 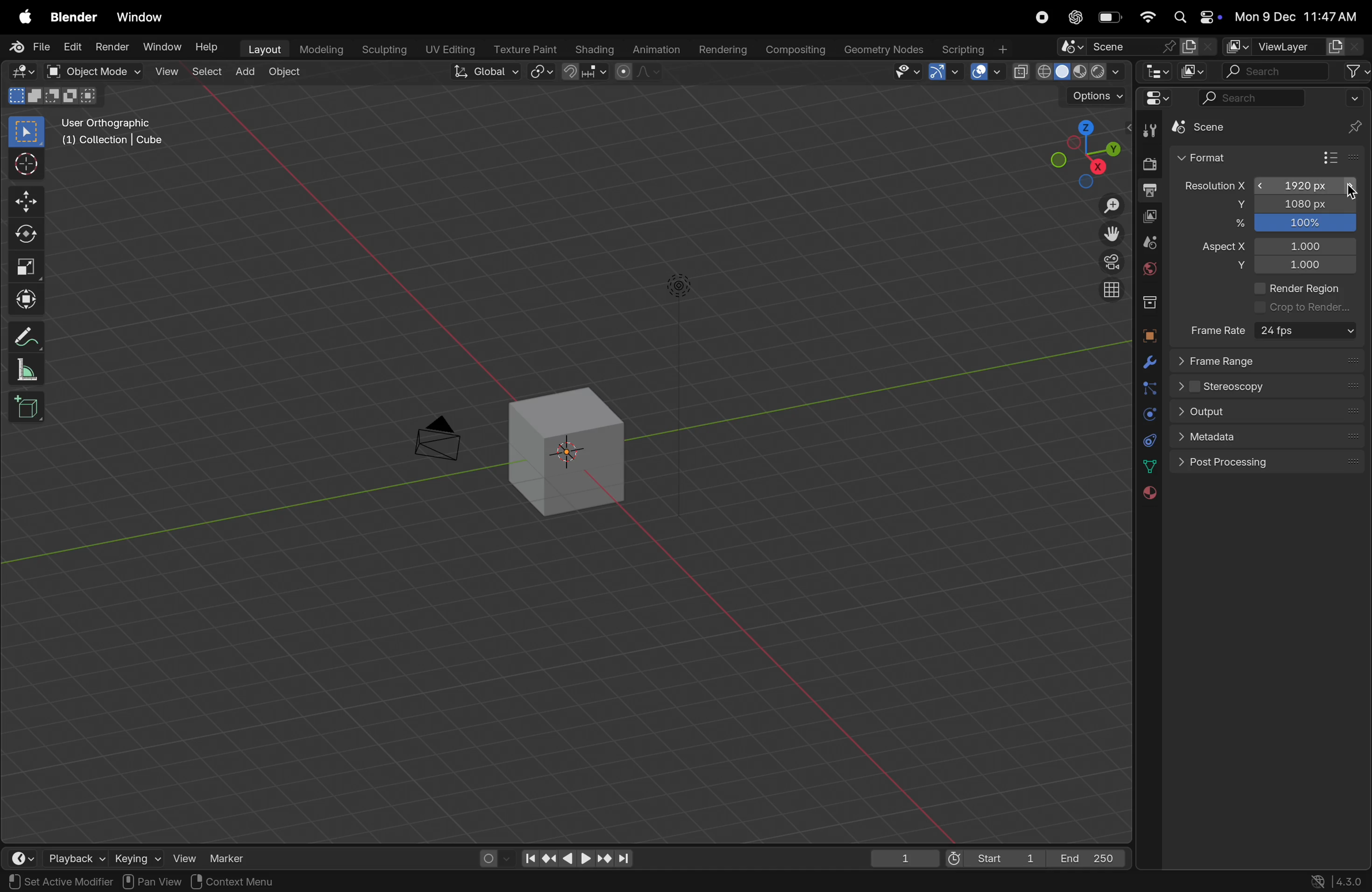 I want to click on auto keying, so click(x=492, y=856).